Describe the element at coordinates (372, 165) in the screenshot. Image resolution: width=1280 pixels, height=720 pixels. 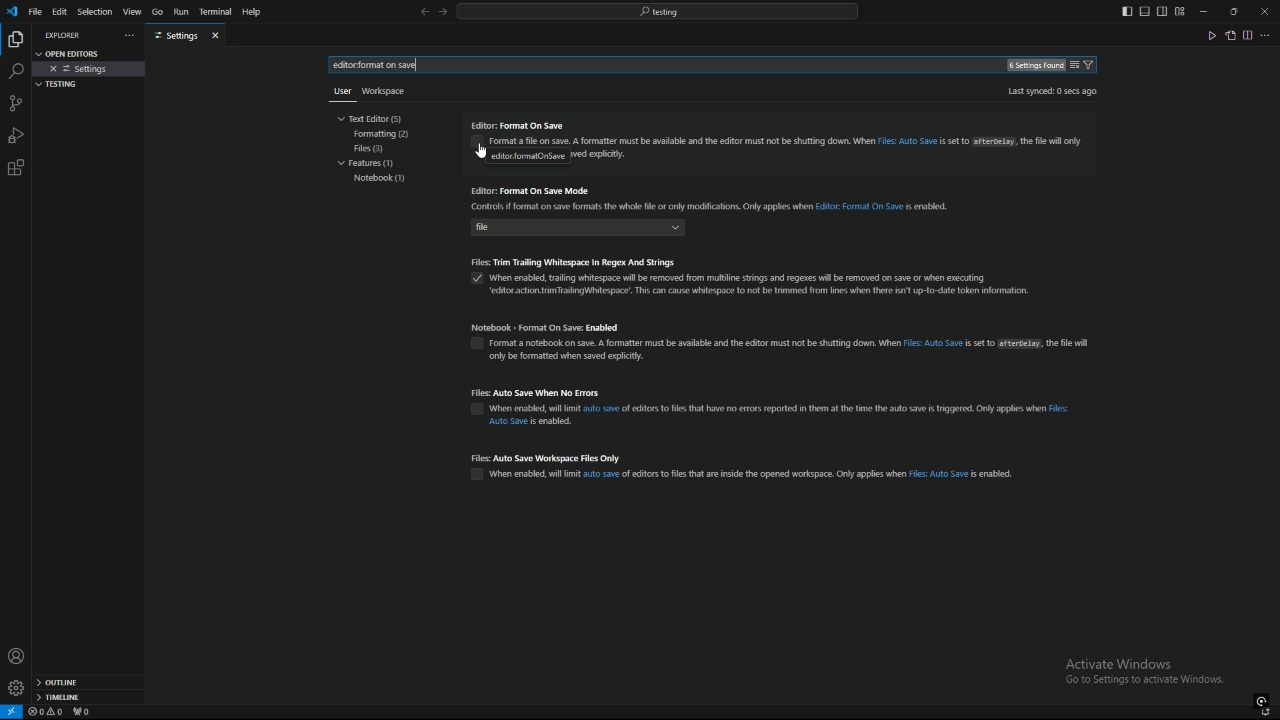
I see `features` at that location.